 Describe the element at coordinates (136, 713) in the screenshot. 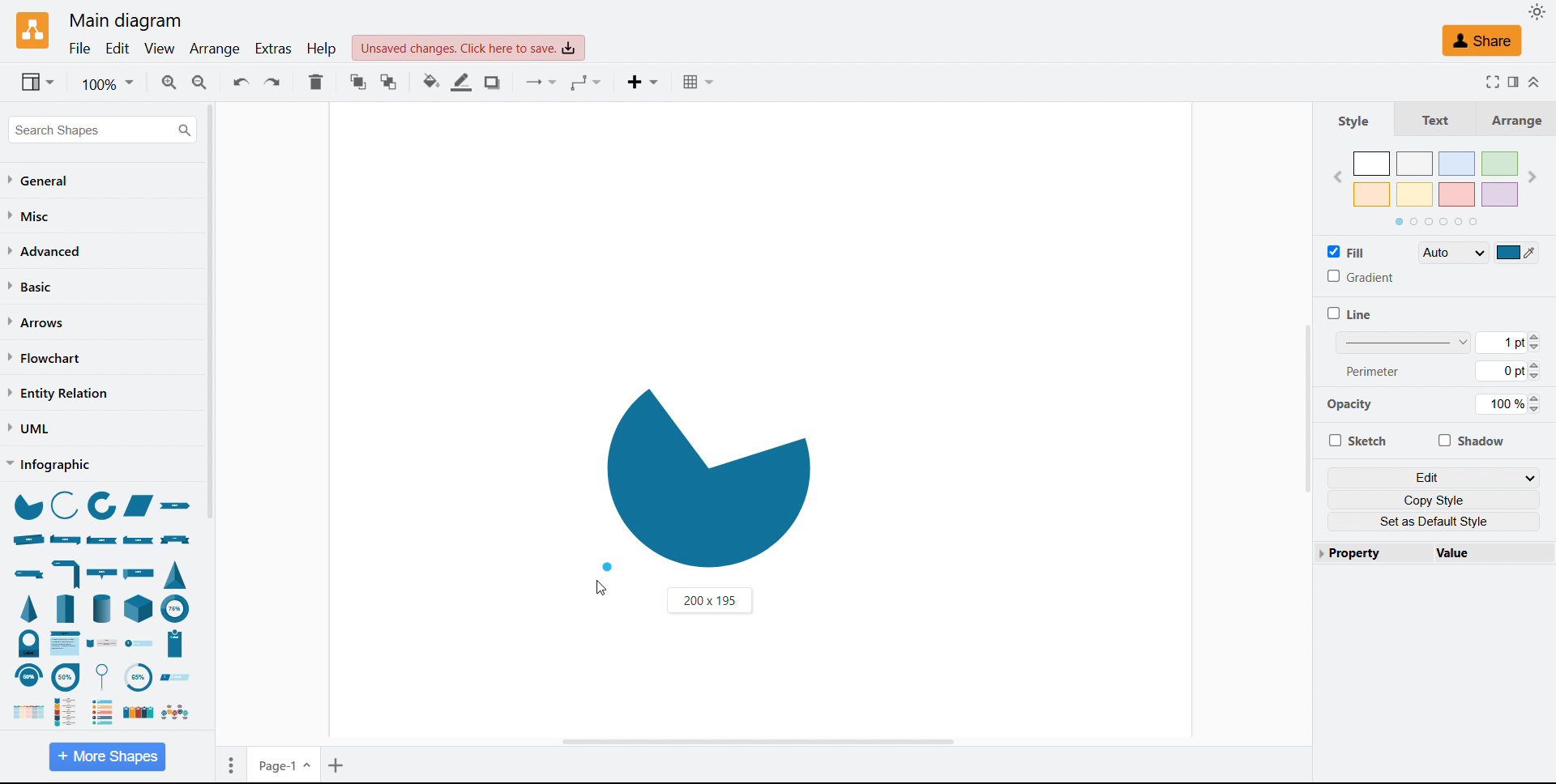

I see `list` at that location.